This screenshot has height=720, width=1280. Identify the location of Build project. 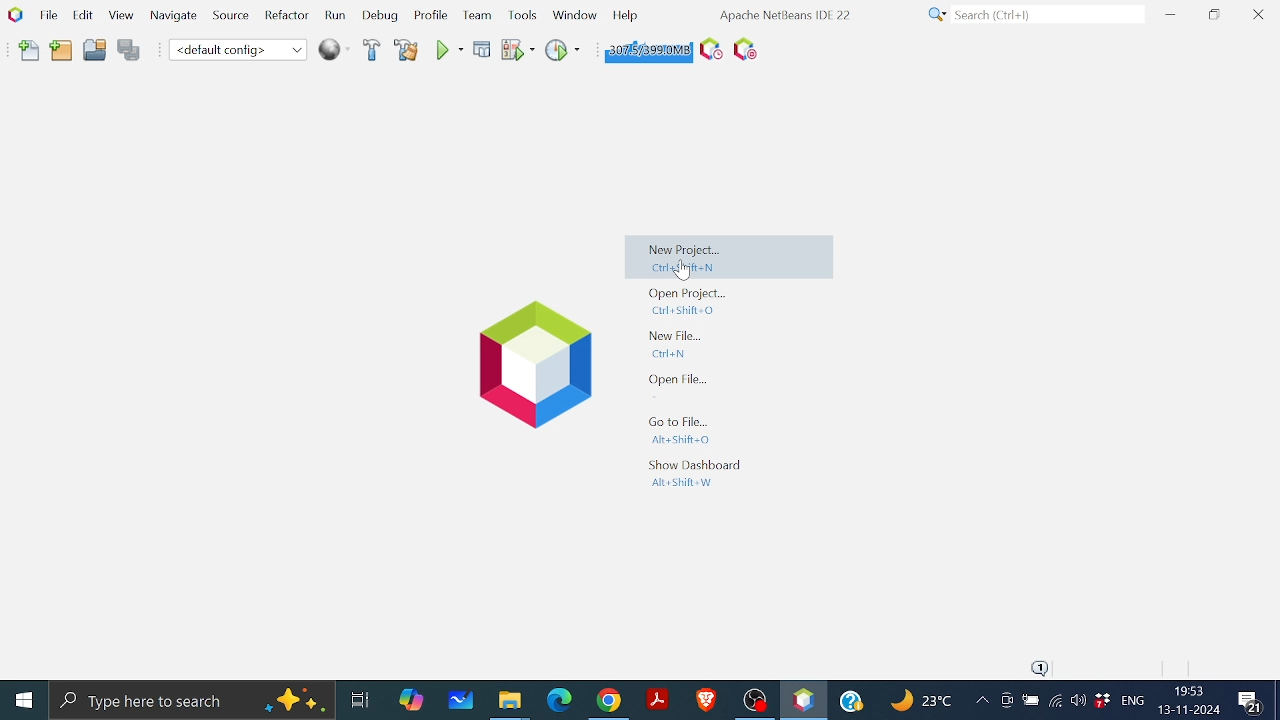
(370, 51).